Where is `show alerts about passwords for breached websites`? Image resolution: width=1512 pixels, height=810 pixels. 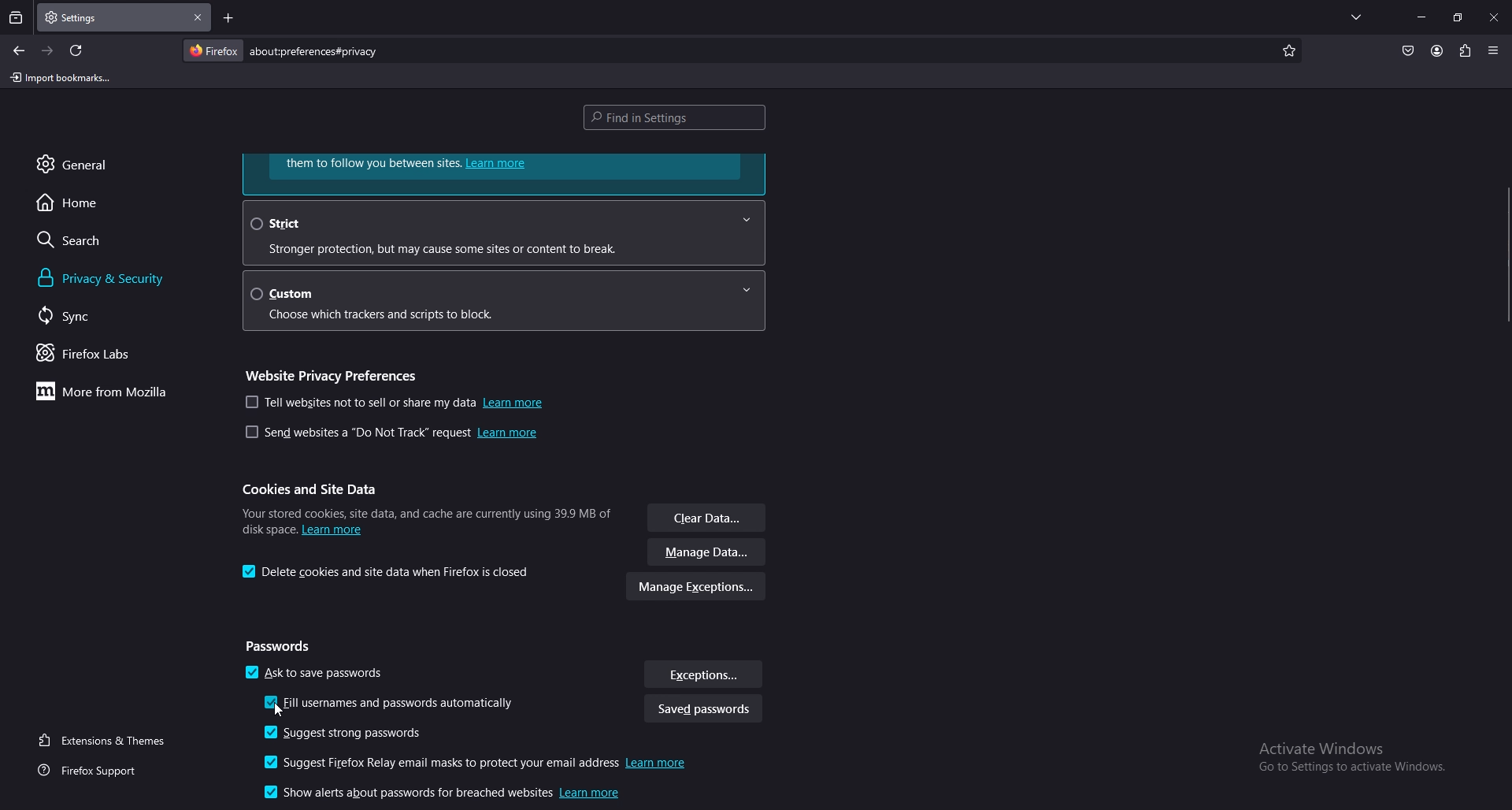 show alerts about passwords for breached websites is located at coordinates (446, 794).